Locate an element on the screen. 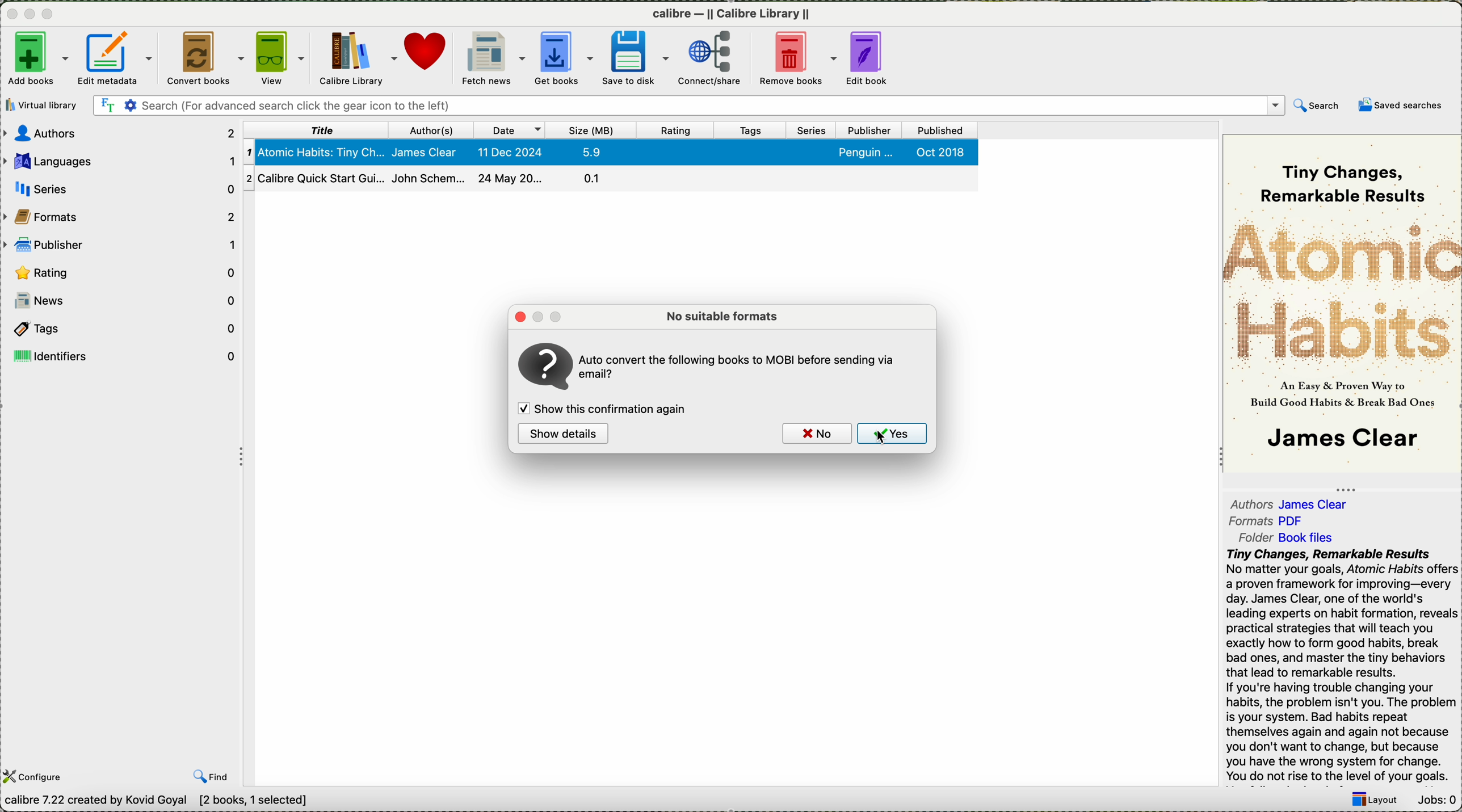  view is located at coordinates (283, 57).